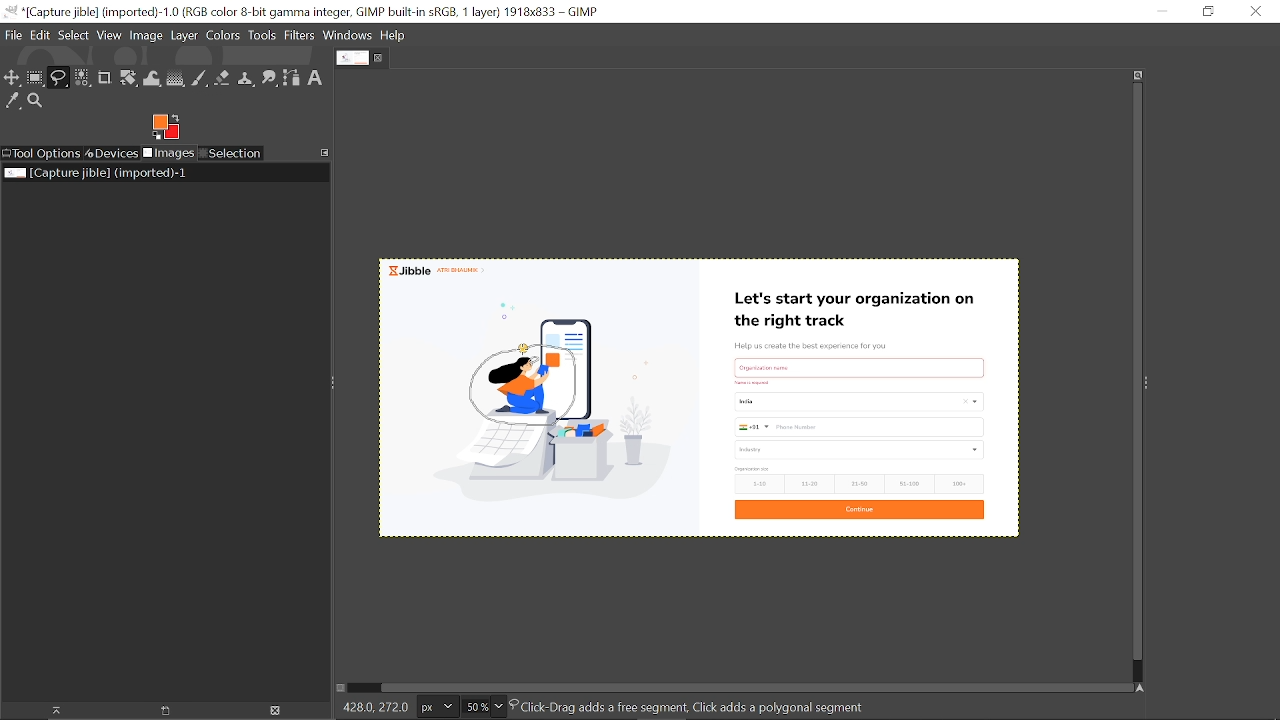  What do you see at coordinates (523, 349) in the screenshot?
I see `Cursor here` at bounding box center [523, 349].